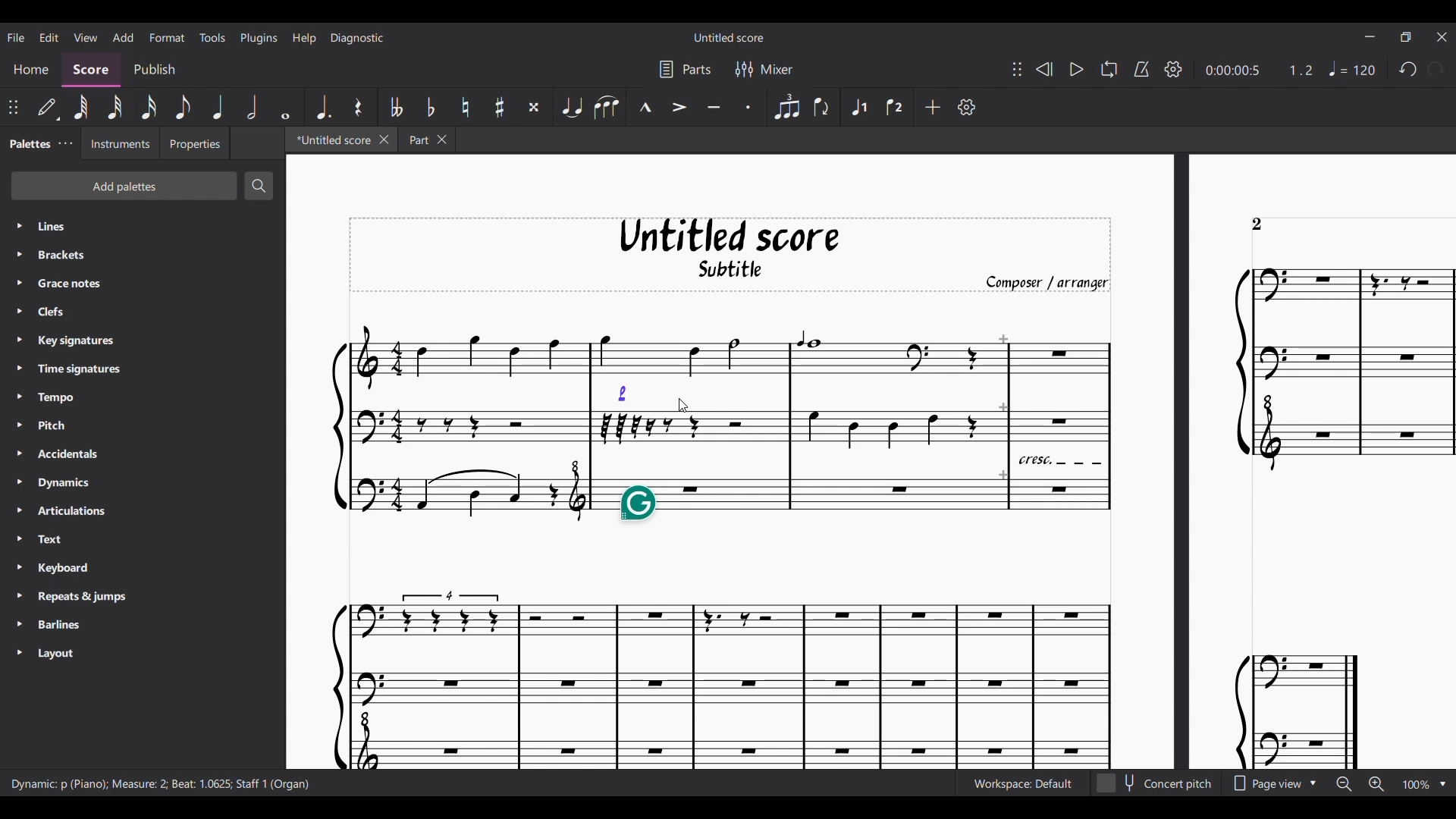 The width and height of the screenshot is (1456, 819). Describe the element at coordinates (683, 406) in the screenshot. I see `Cursor after dragging the dynamic marking from its previous position` at that location.